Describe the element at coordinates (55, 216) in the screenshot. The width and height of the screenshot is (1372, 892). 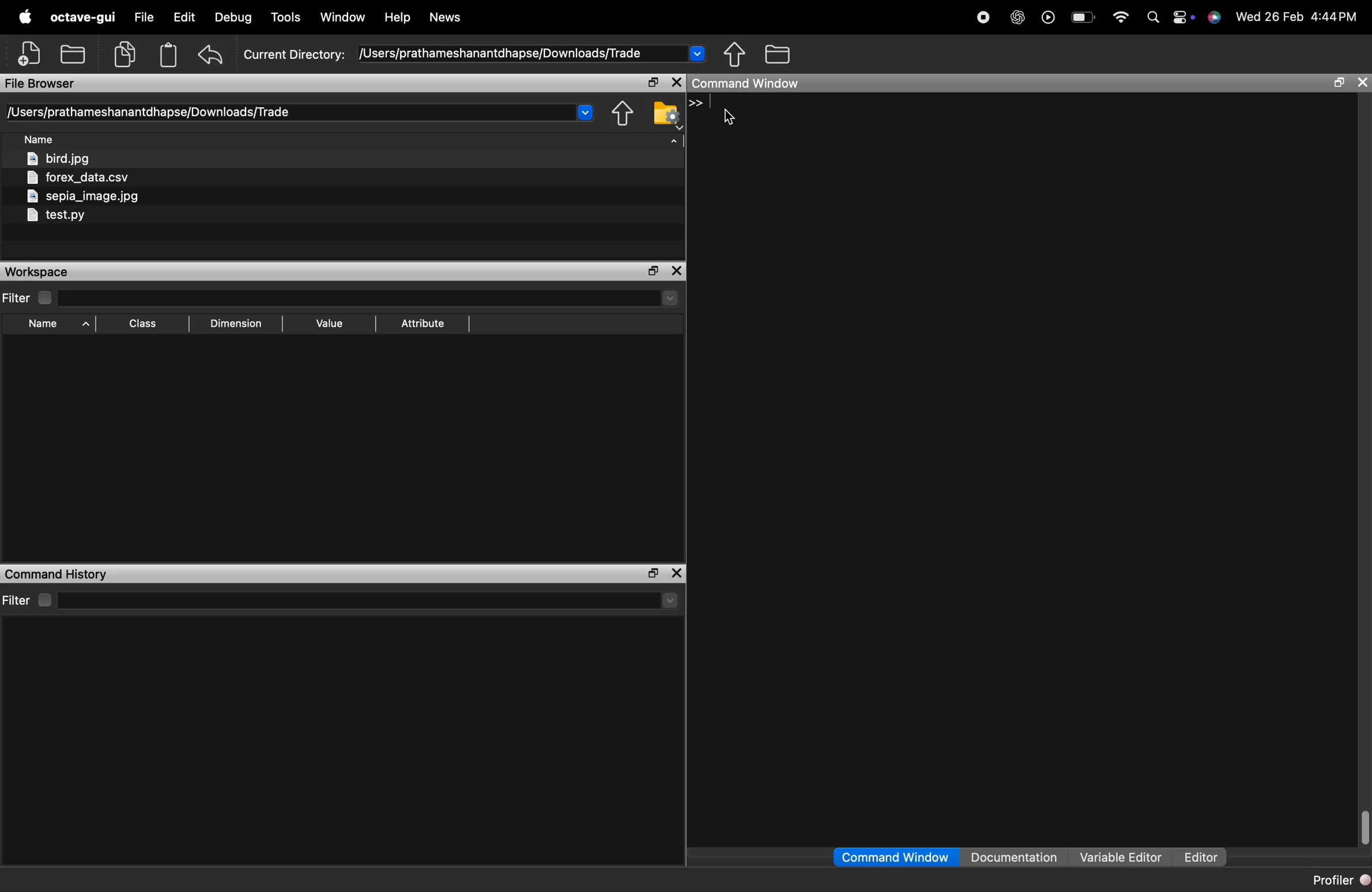
I see `test.py` at that location.